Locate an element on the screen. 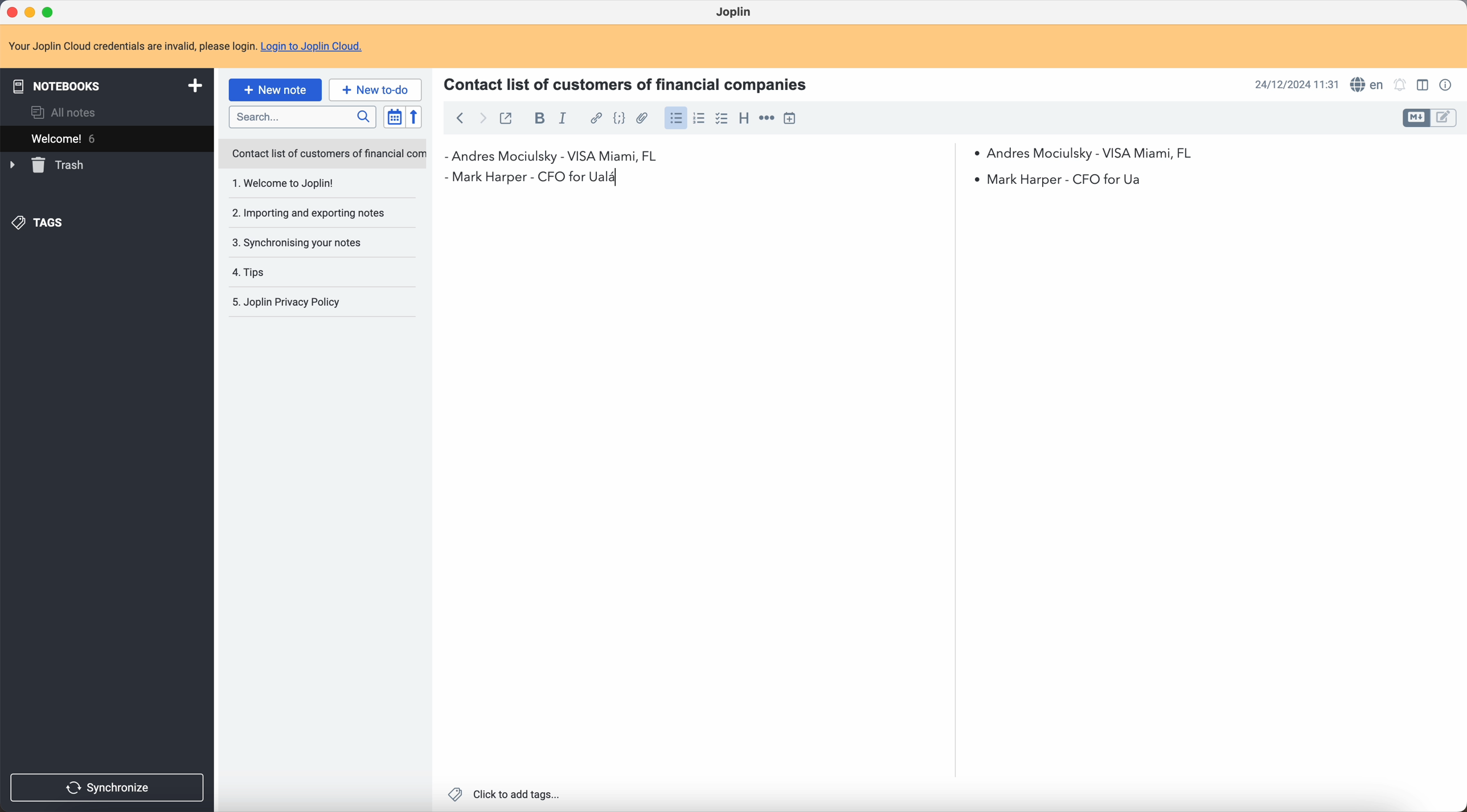 This screenshot has width=1467, height=812. Joplin is located at coordinates (733, 11).